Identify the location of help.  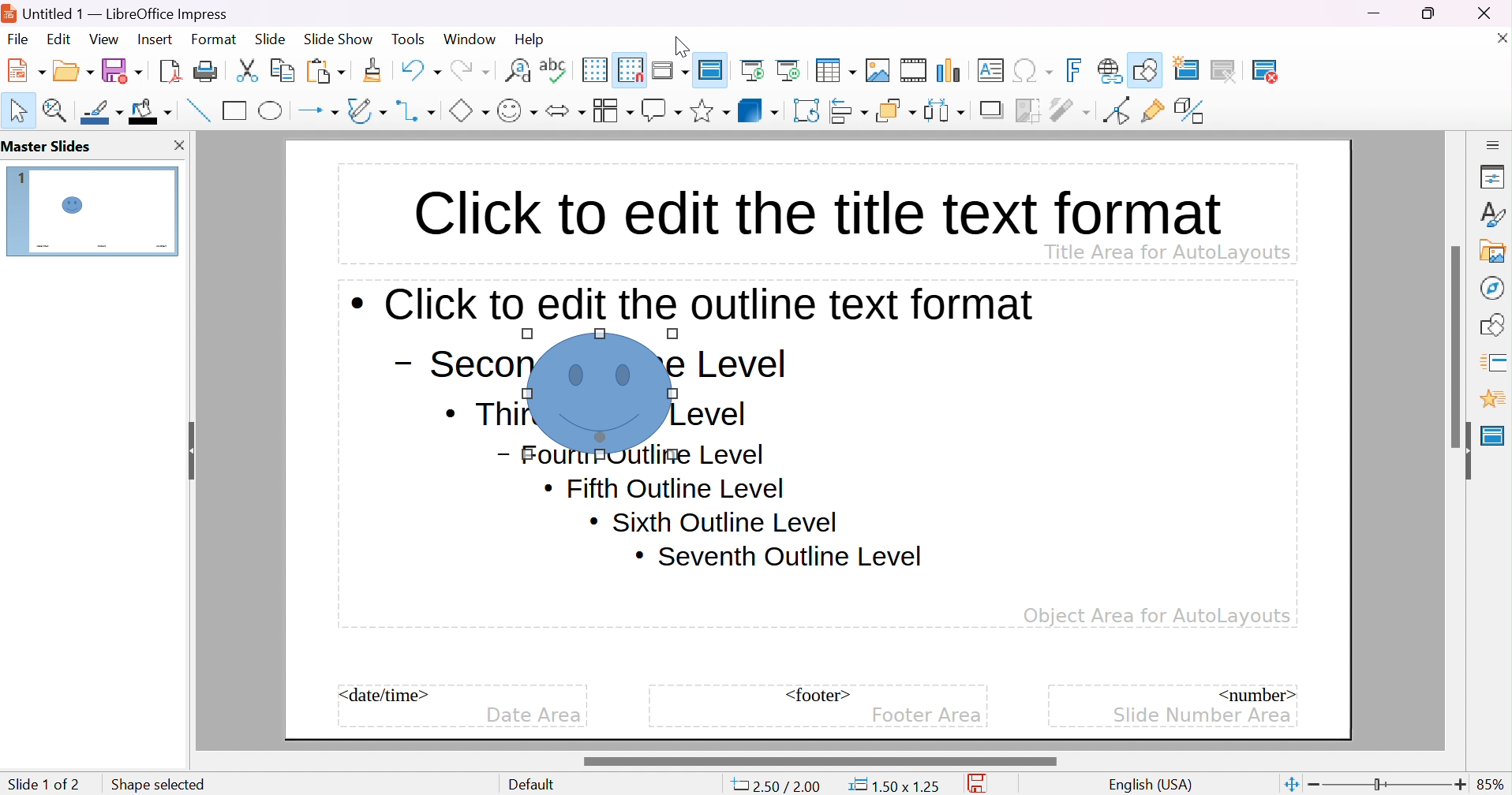
(531, 39).